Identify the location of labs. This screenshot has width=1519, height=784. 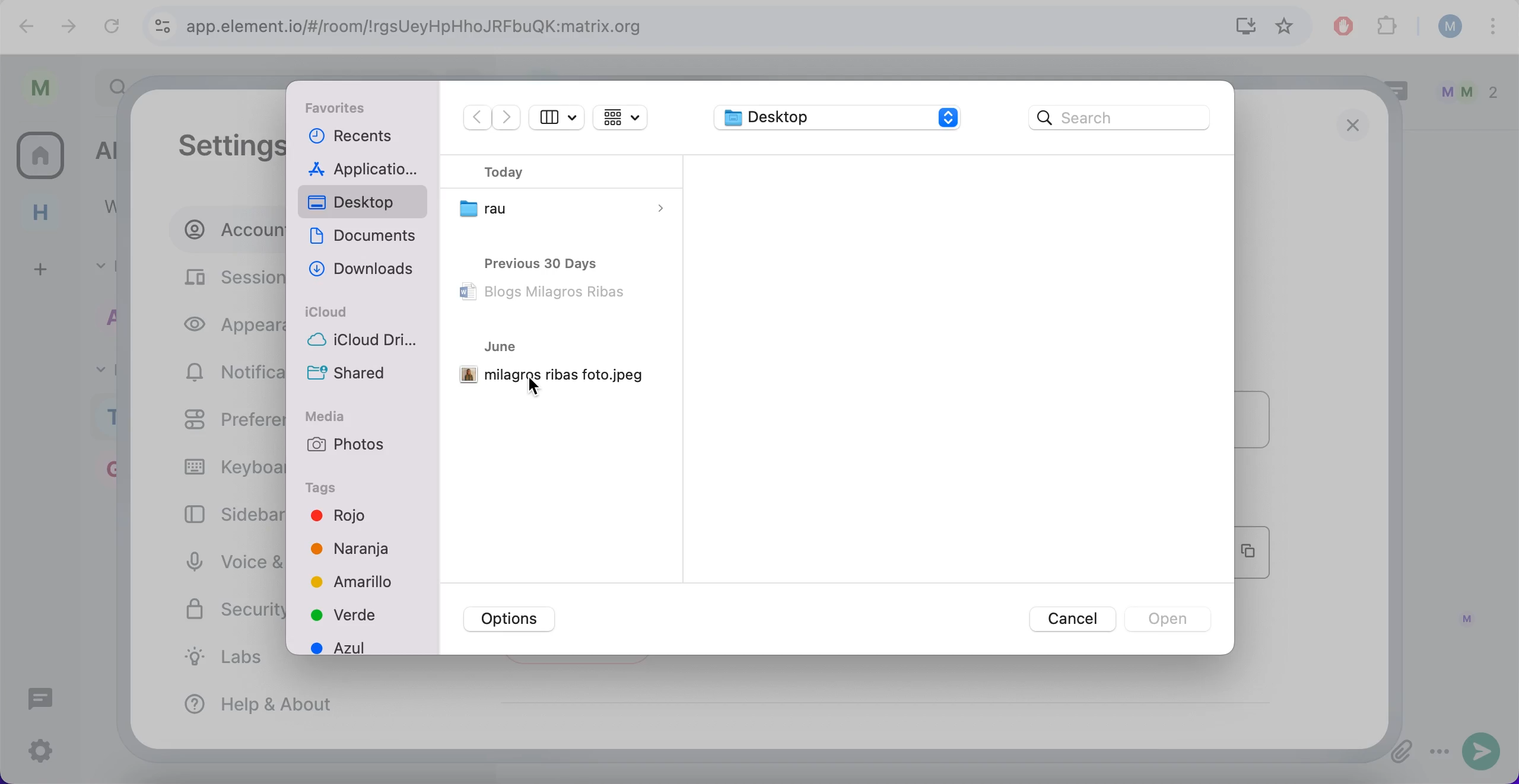
(223, 658).